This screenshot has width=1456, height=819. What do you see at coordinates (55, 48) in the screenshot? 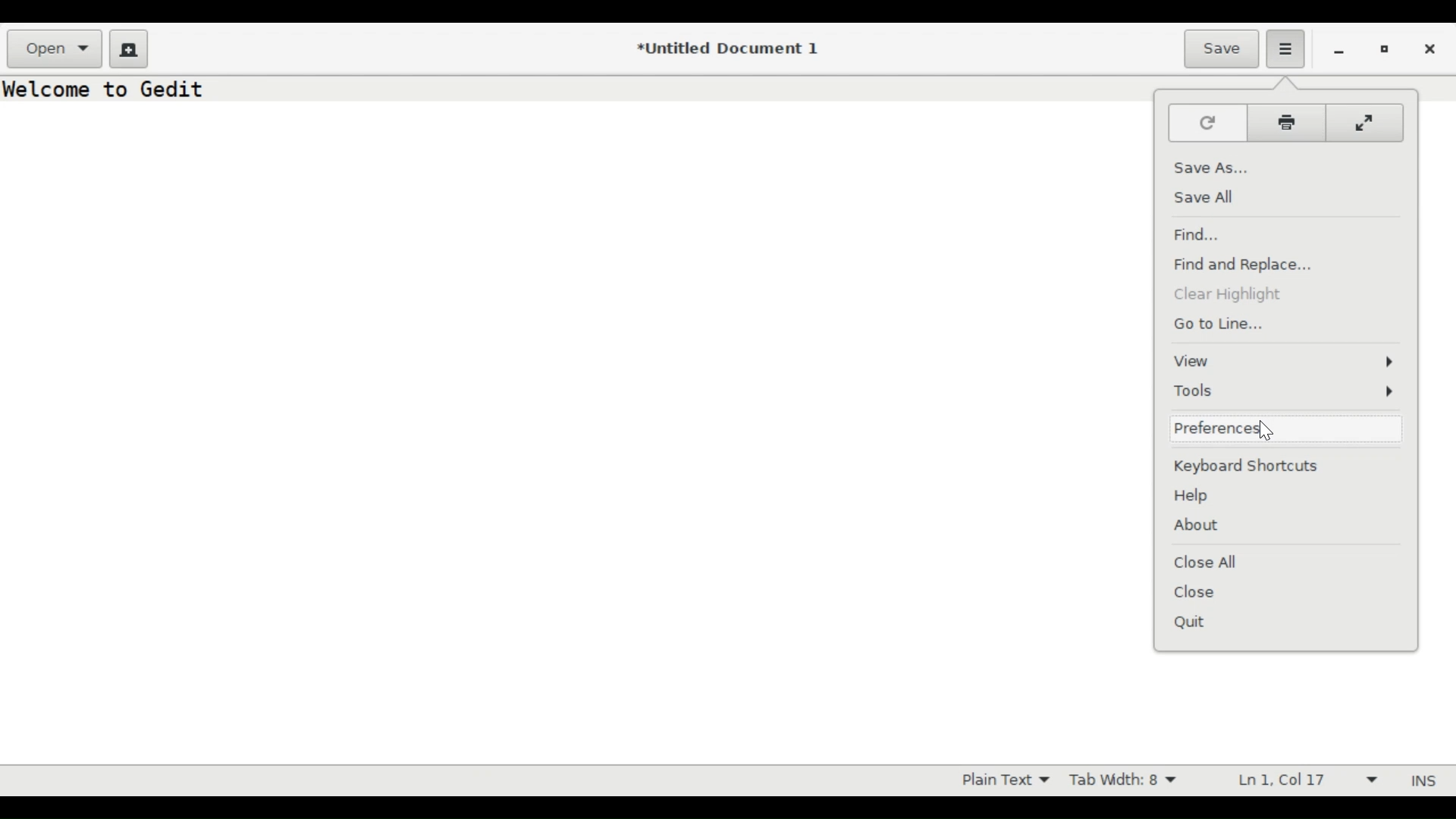
I see `Open` at bounding box center [55, 48].